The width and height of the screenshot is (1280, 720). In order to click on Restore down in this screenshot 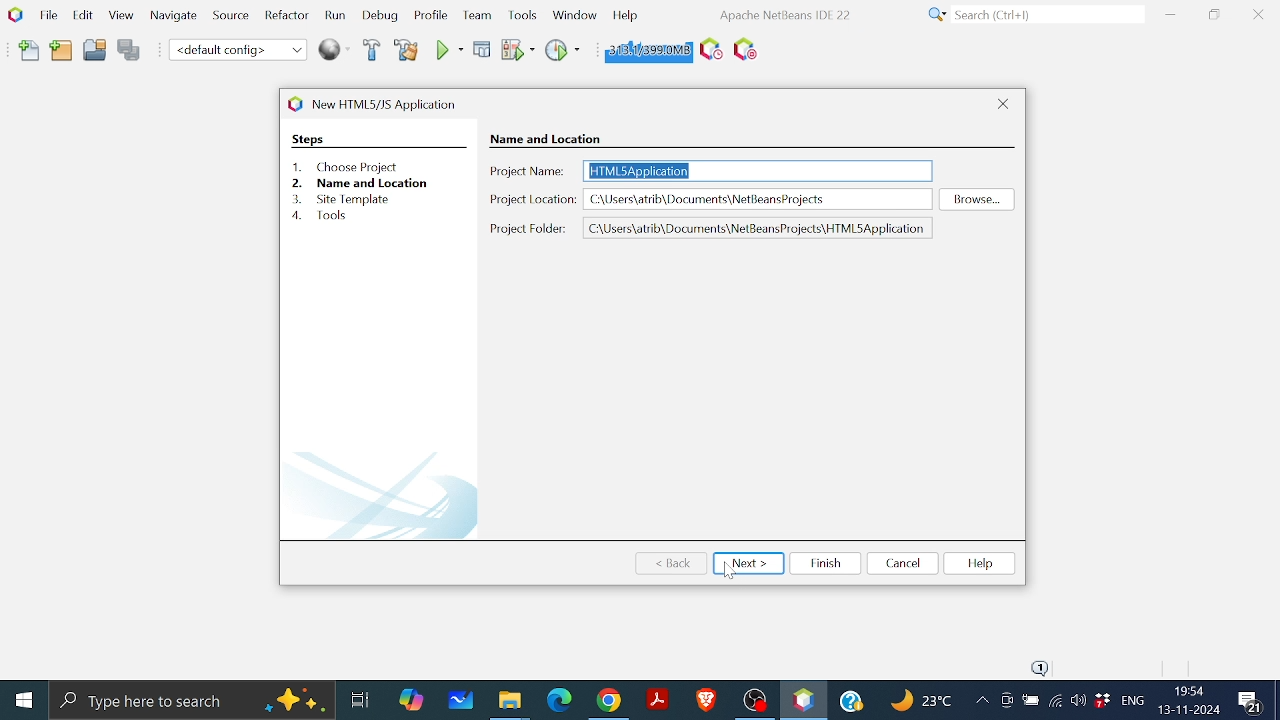, I will do `click(1214, 14)`.